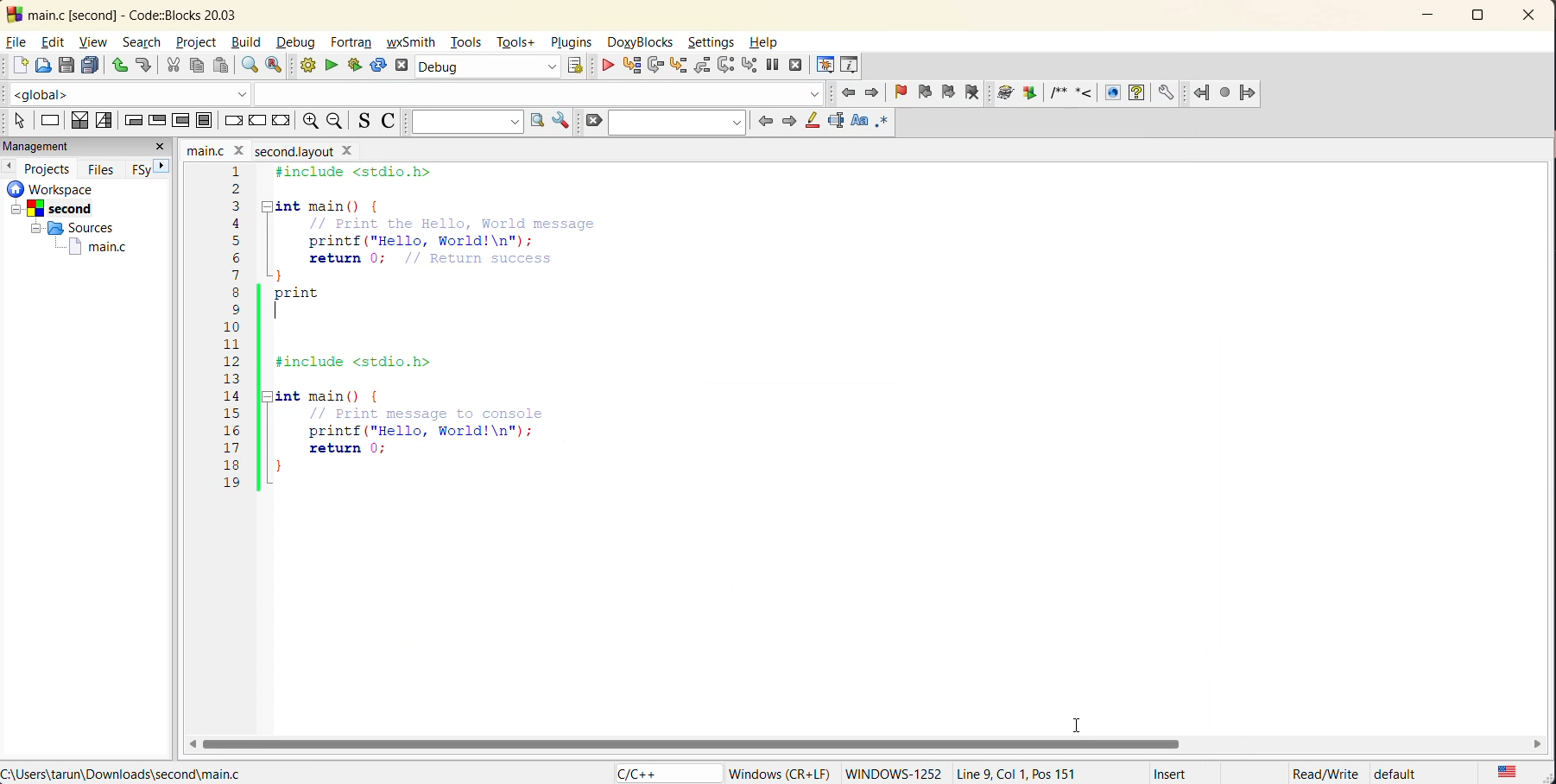  I want to click on open, so click(45, 66).